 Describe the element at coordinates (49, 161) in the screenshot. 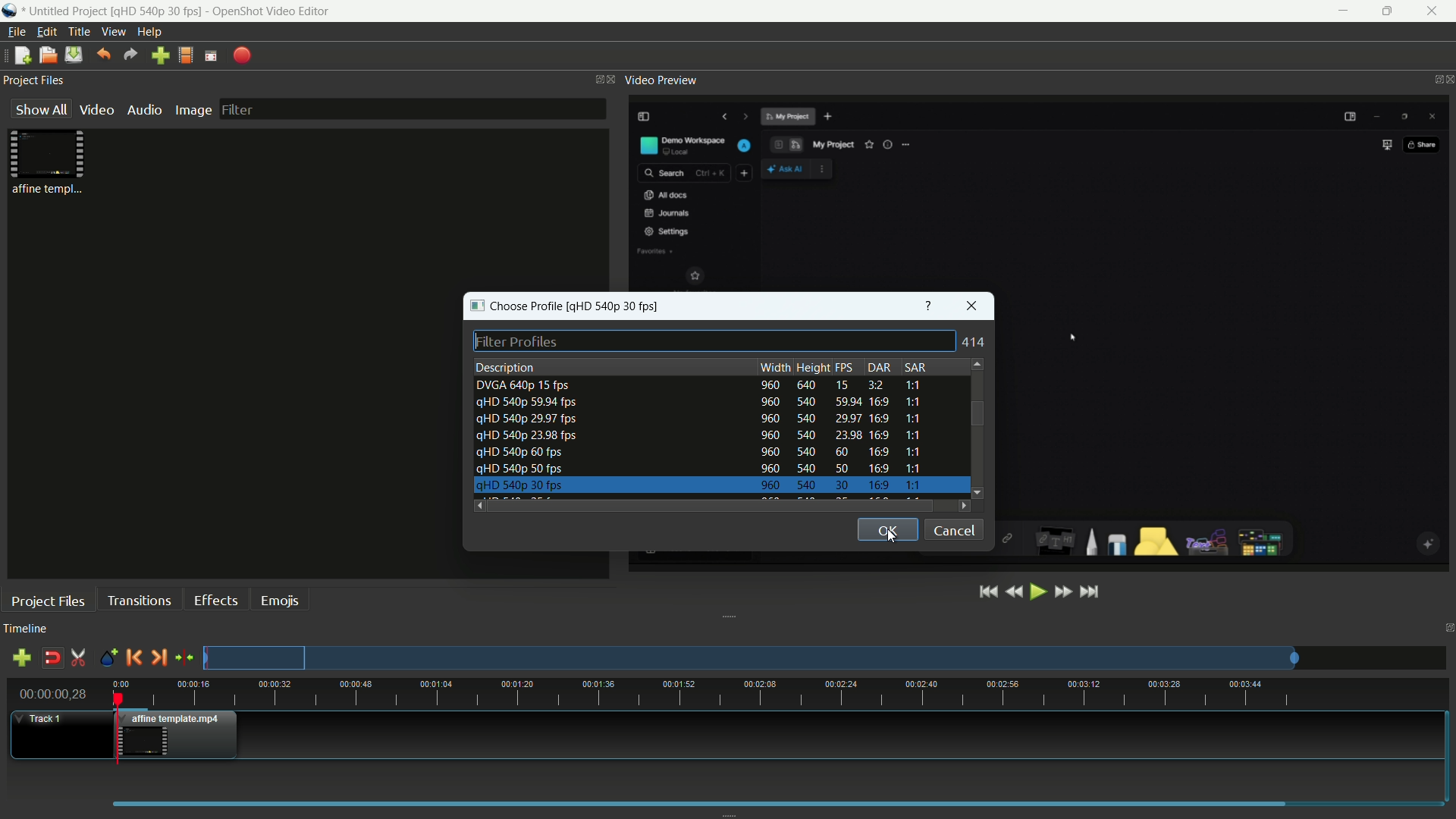

I see `project file` at that location.